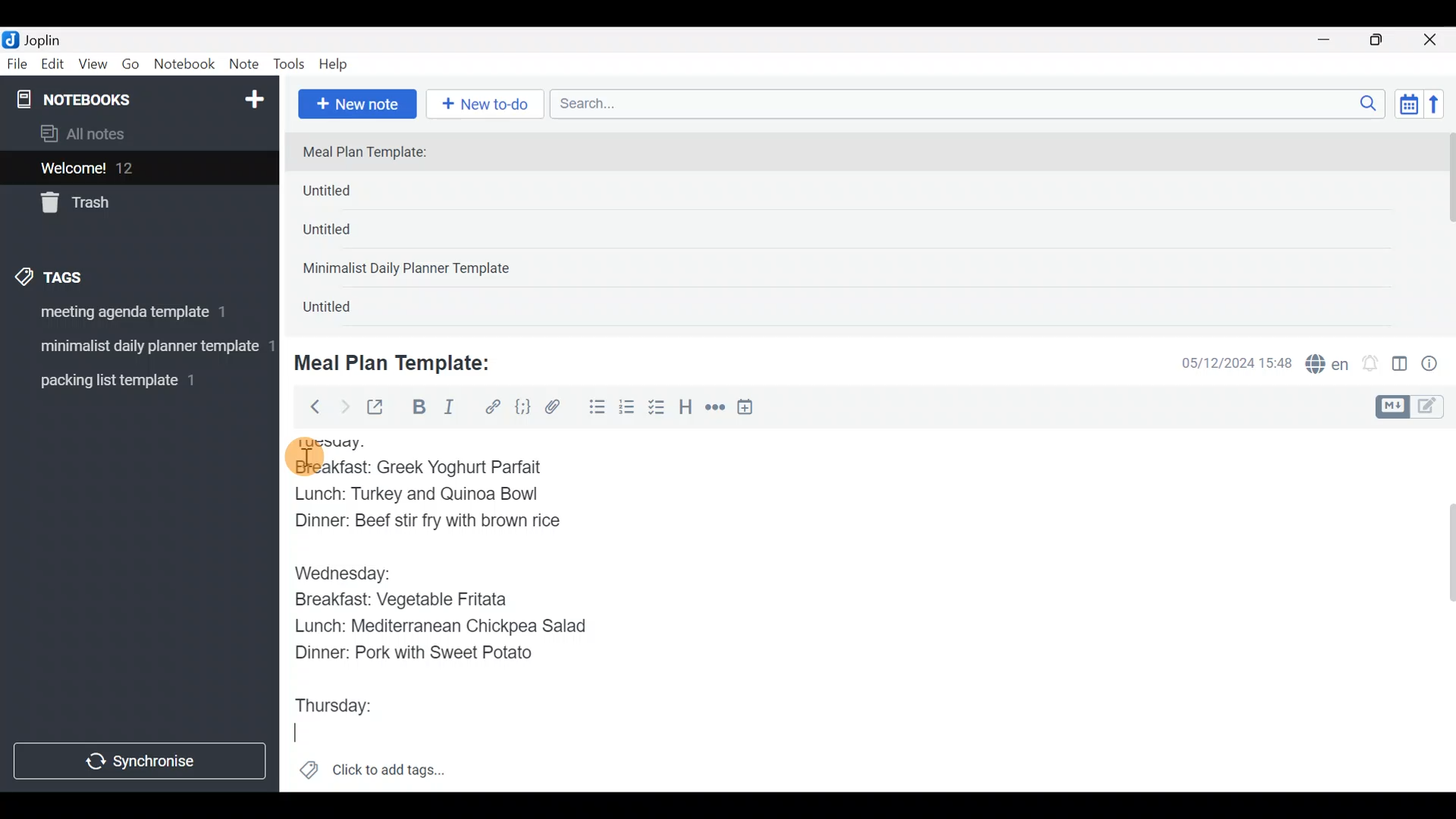 The image size is (1456, 819). What do you see at coordinates (417, 497) in the screenshot?
I see `Lunch: Turkey and Quinoa Bowl` at bounding box center [417, 497].